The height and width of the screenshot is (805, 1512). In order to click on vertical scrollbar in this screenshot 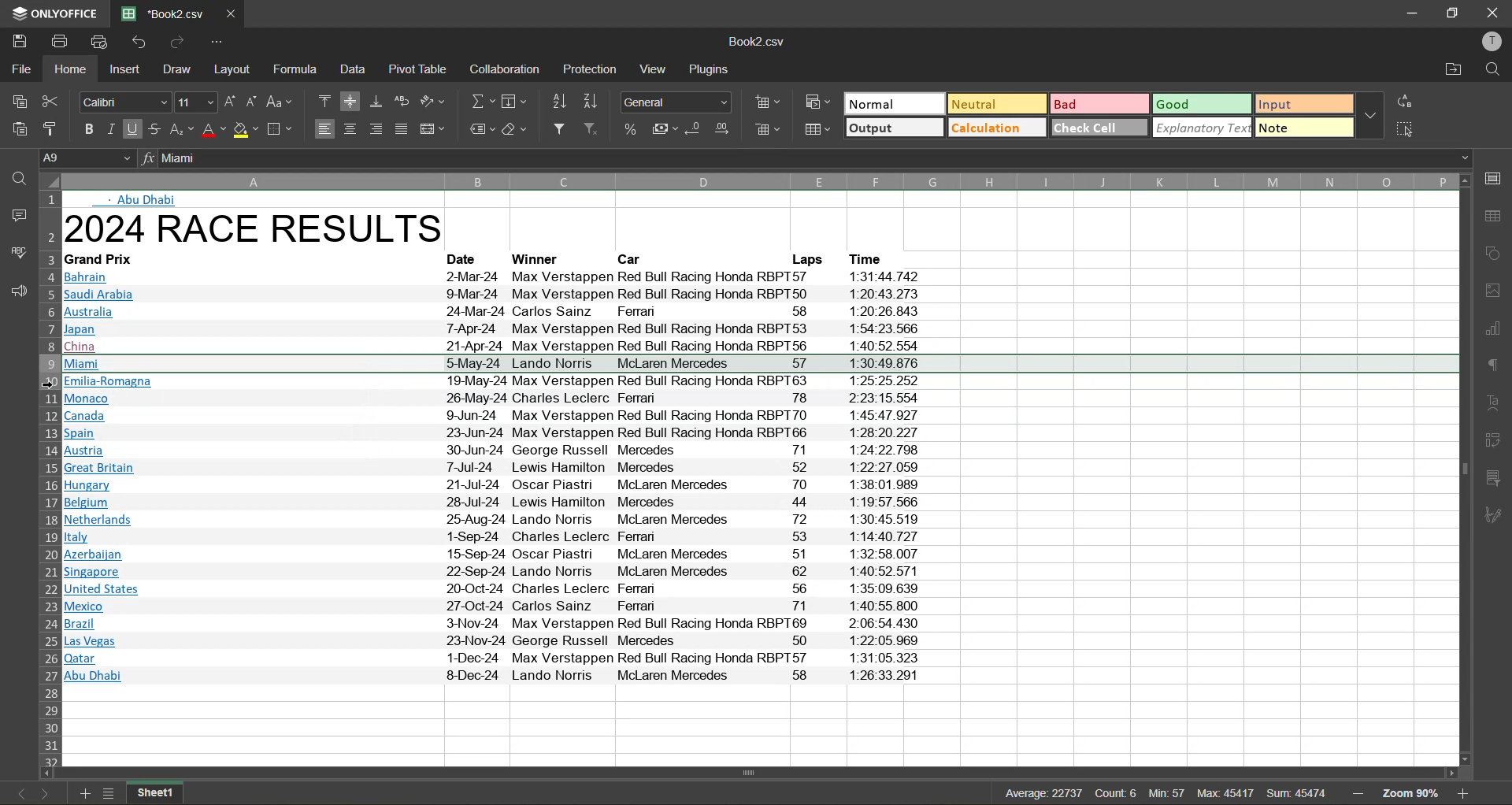, I will do `click(1464, 471)`.